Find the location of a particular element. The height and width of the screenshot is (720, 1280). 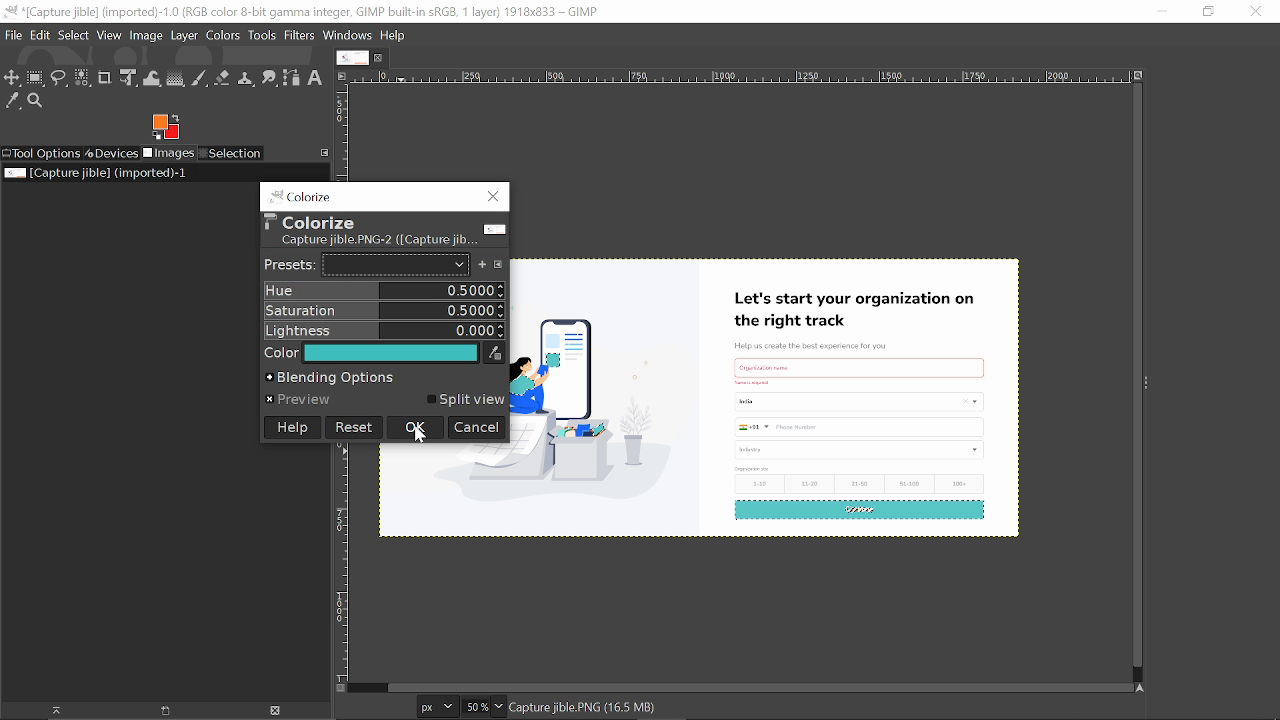

navigate this window is located at coordinates (1144, 687).